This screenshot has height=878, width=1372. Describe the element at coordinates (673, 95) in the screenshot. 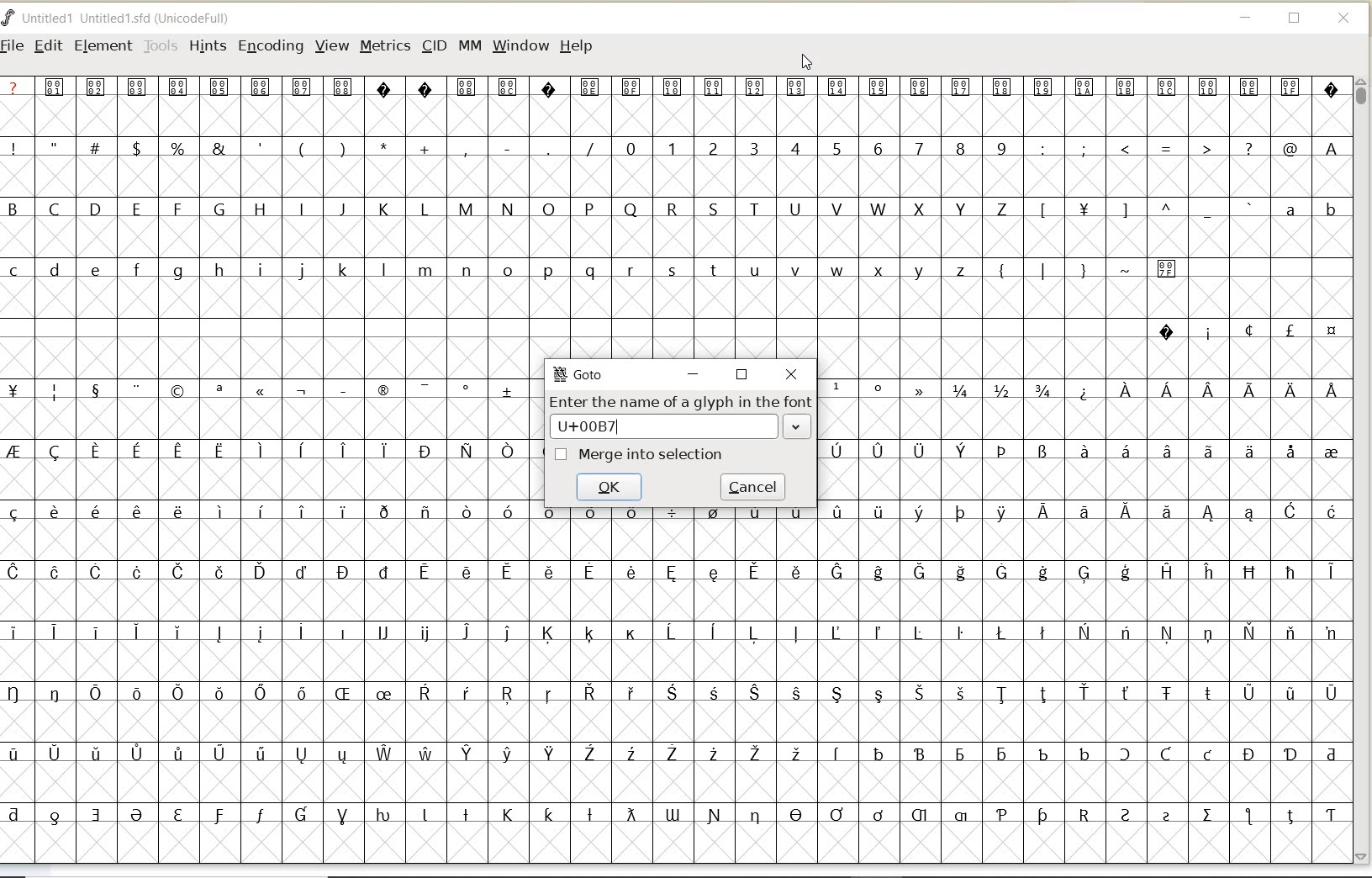

I see `special characters` at that location.